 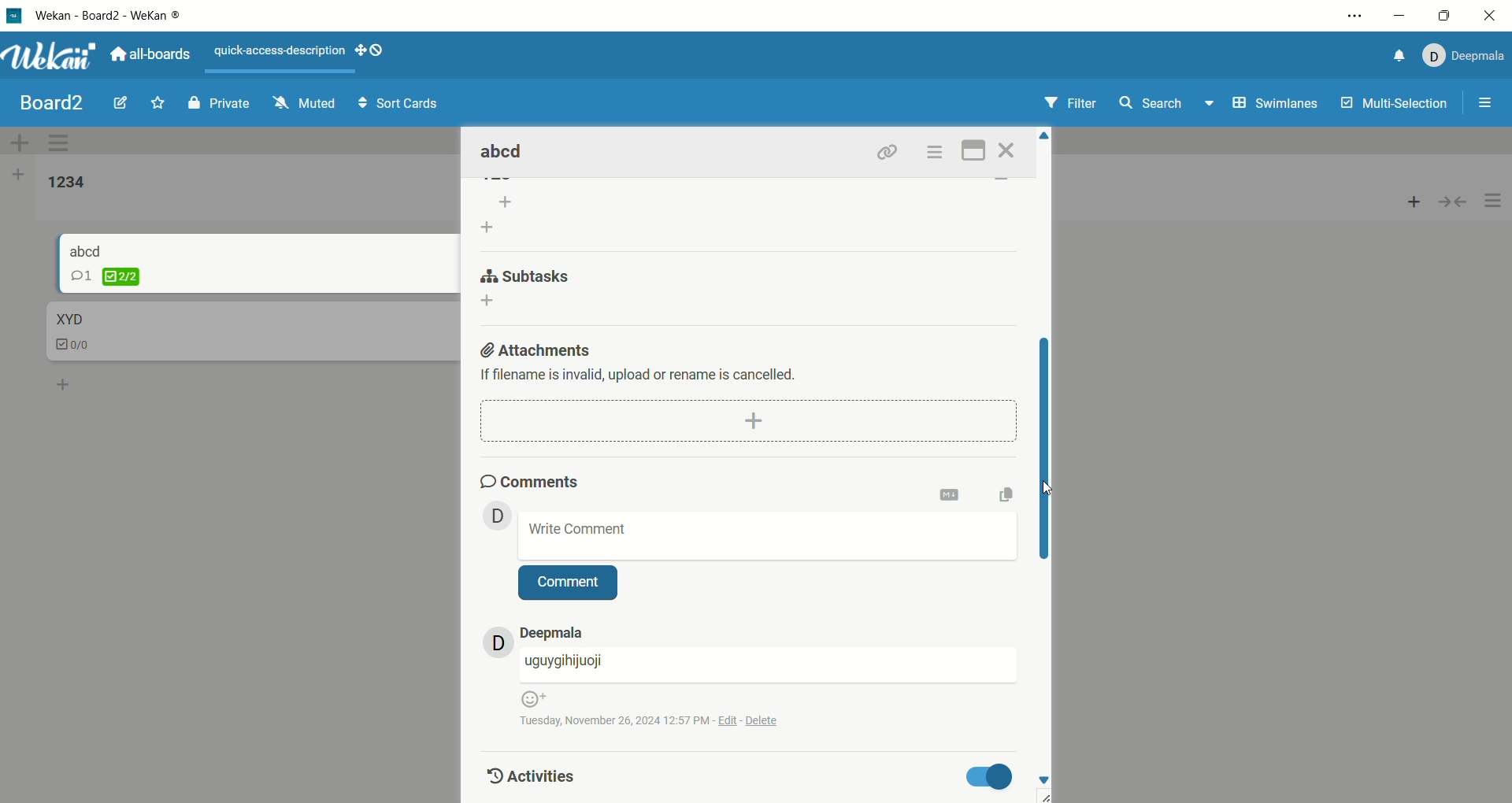 What do you see at coordinates (1012, 493) in the screenshot?
I see `copy` at bounding box center [1012, 493].